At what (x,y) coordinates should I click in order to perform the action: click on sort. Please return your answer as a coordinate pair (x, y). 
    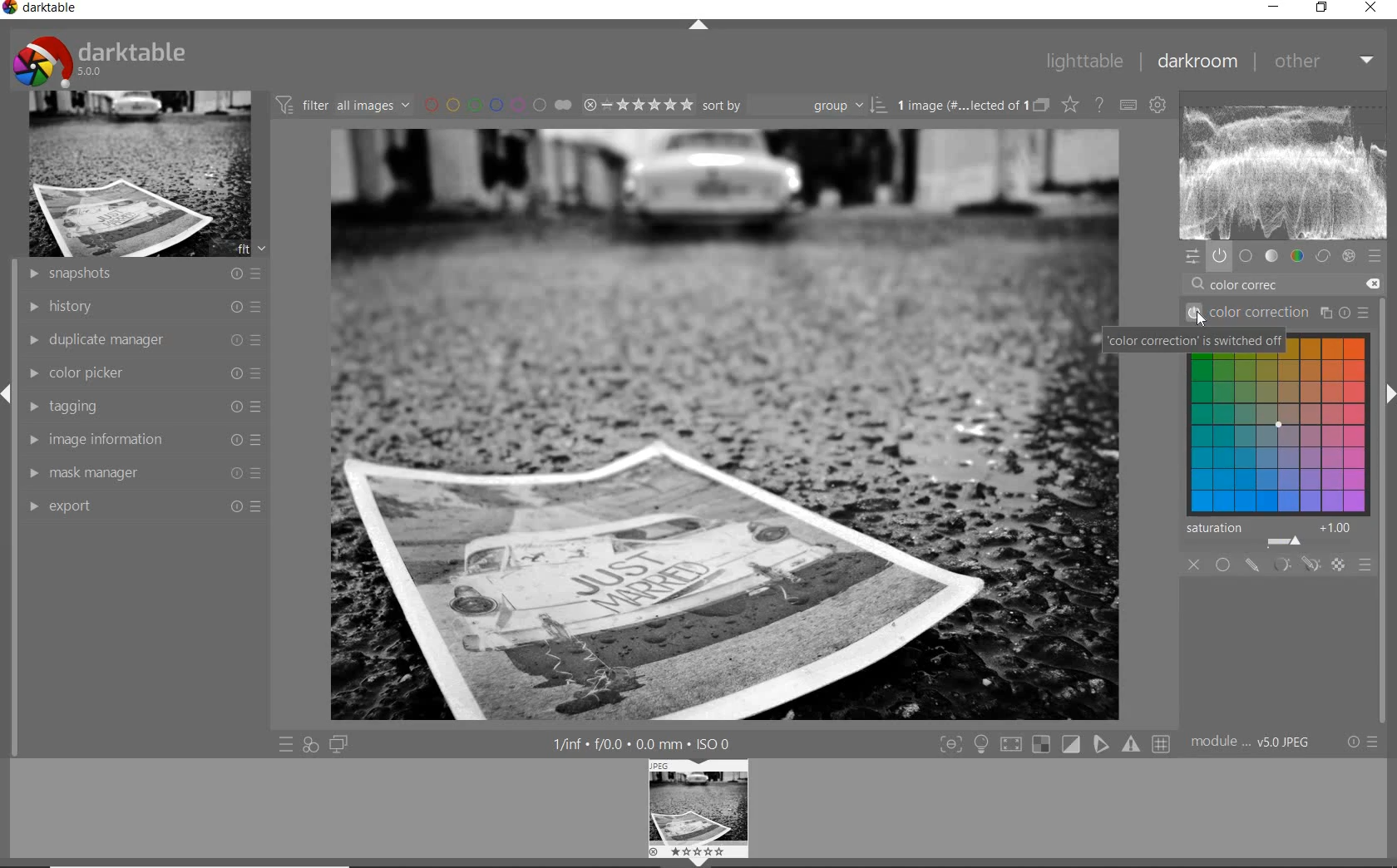
    Looking at the image, I should click on (795, 105).